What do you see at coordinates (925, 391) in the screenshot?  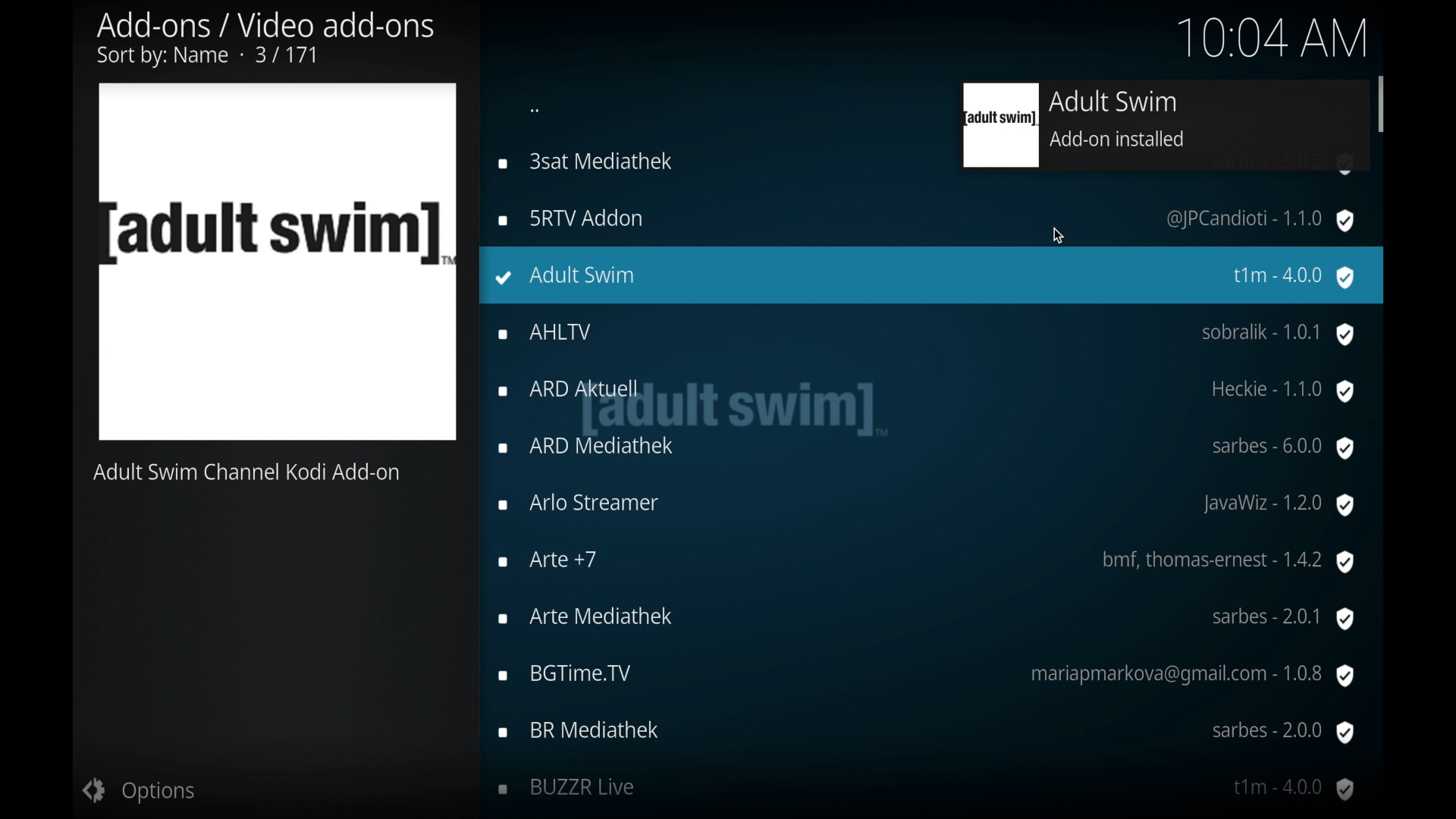 I see `ard` at bounding box center [925, 391].